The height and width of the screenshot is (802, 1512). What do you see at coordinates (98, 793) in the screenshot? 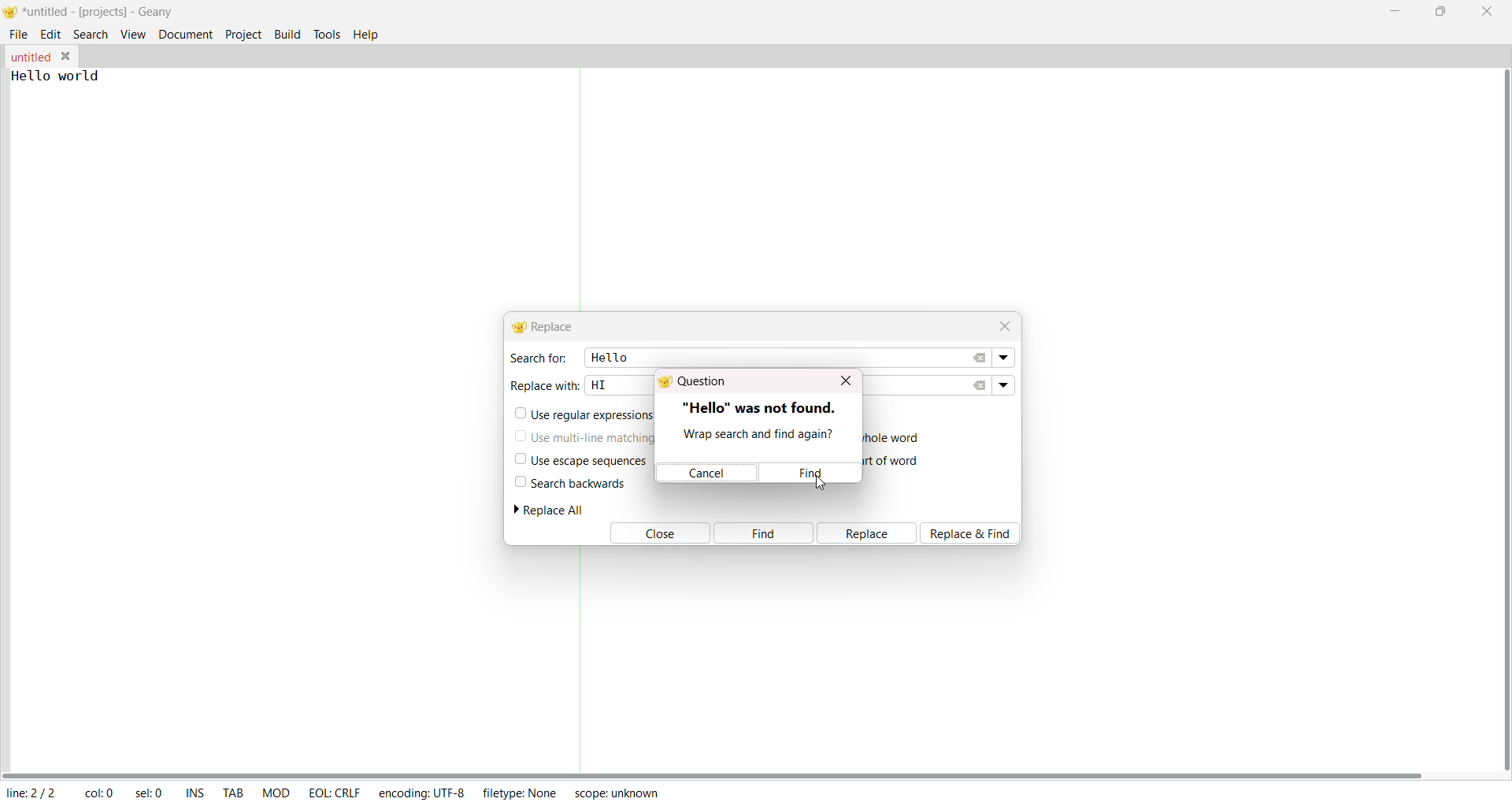
I see `col: 0` at bounding box center [98, 793].